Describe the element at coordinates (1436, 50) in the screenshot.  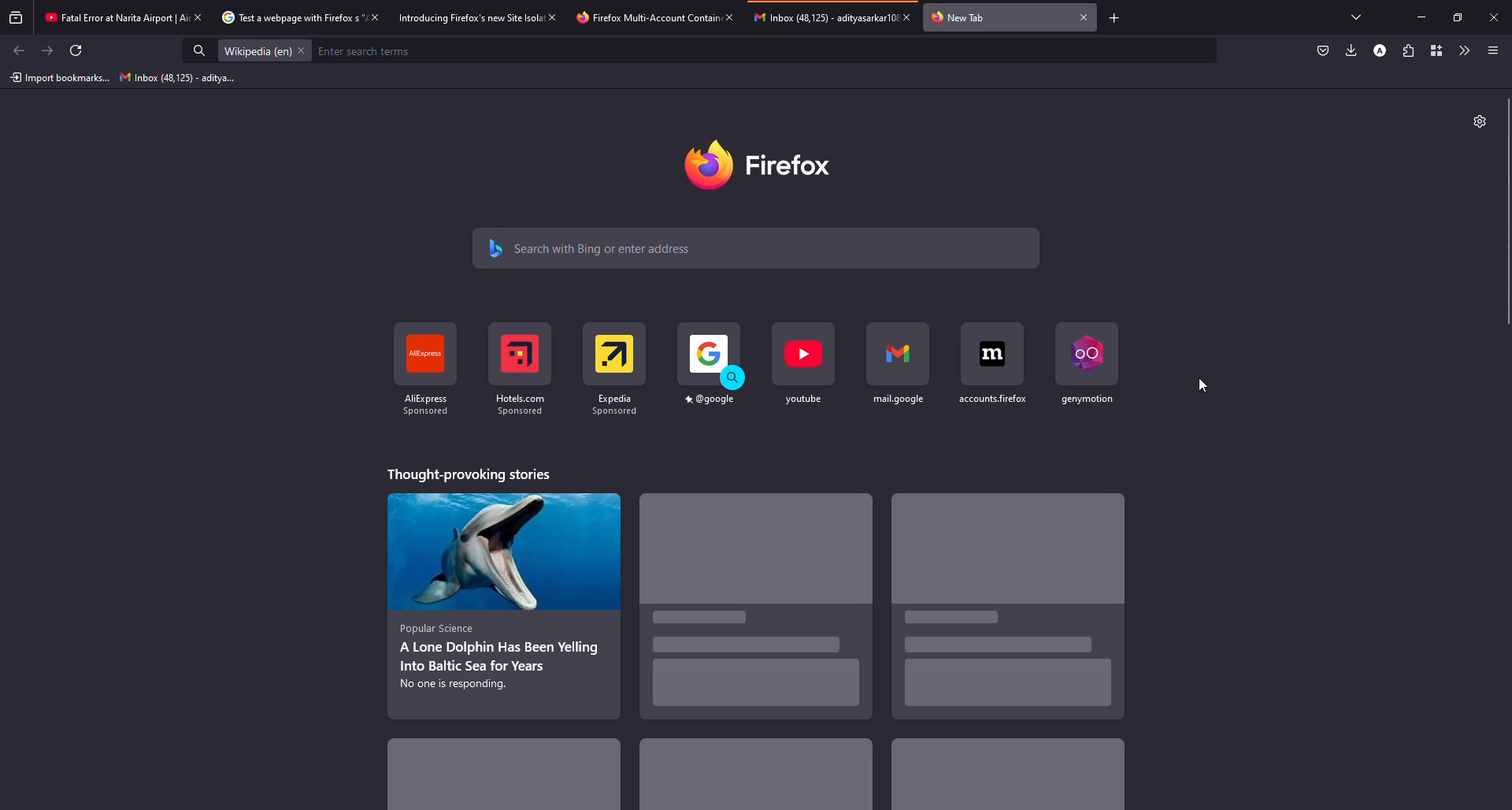
I see `containers` at that location.